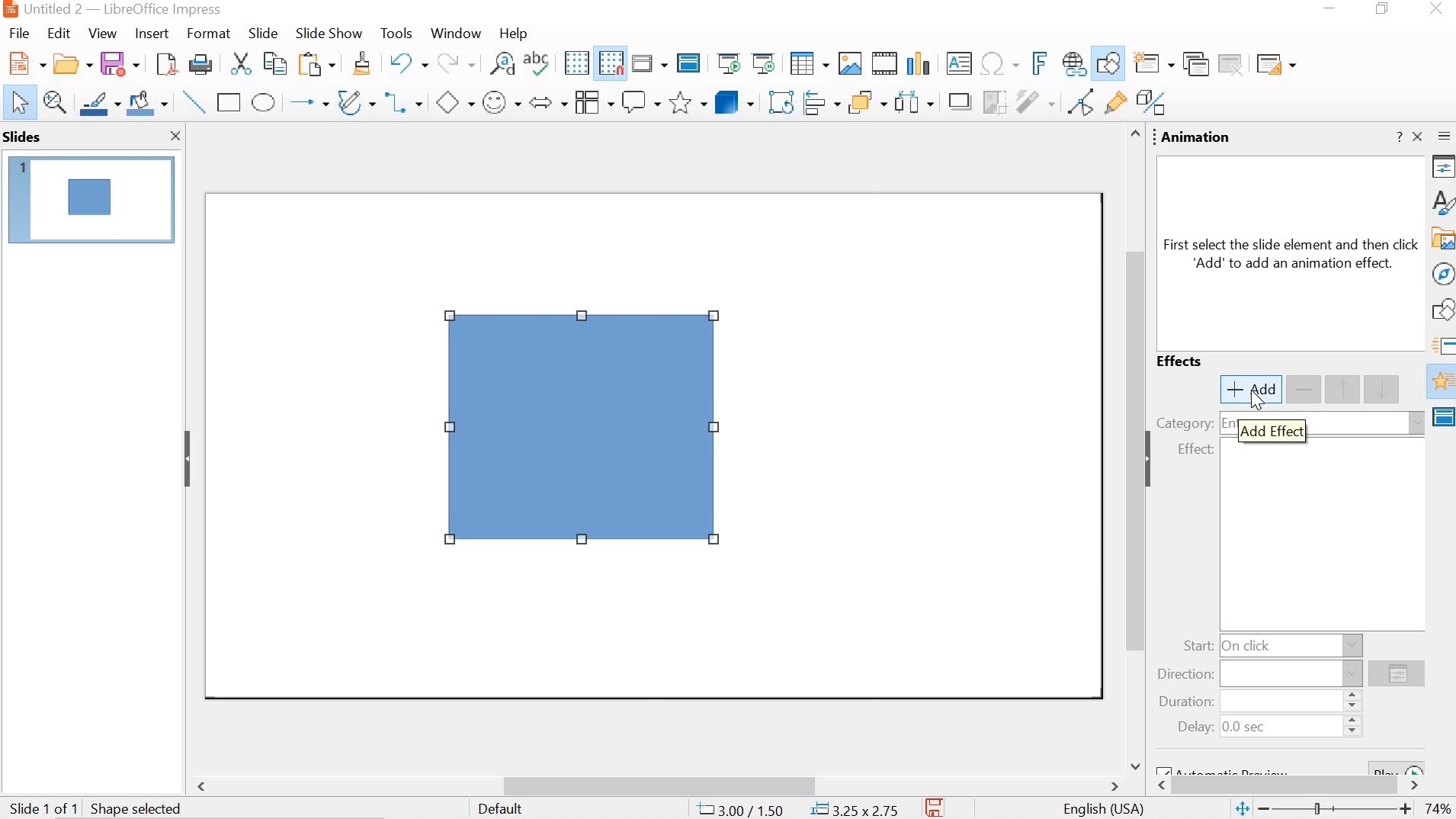  Describe the element at coordinates (230, 103) in the screenshot. I see `rectangle` at that location.